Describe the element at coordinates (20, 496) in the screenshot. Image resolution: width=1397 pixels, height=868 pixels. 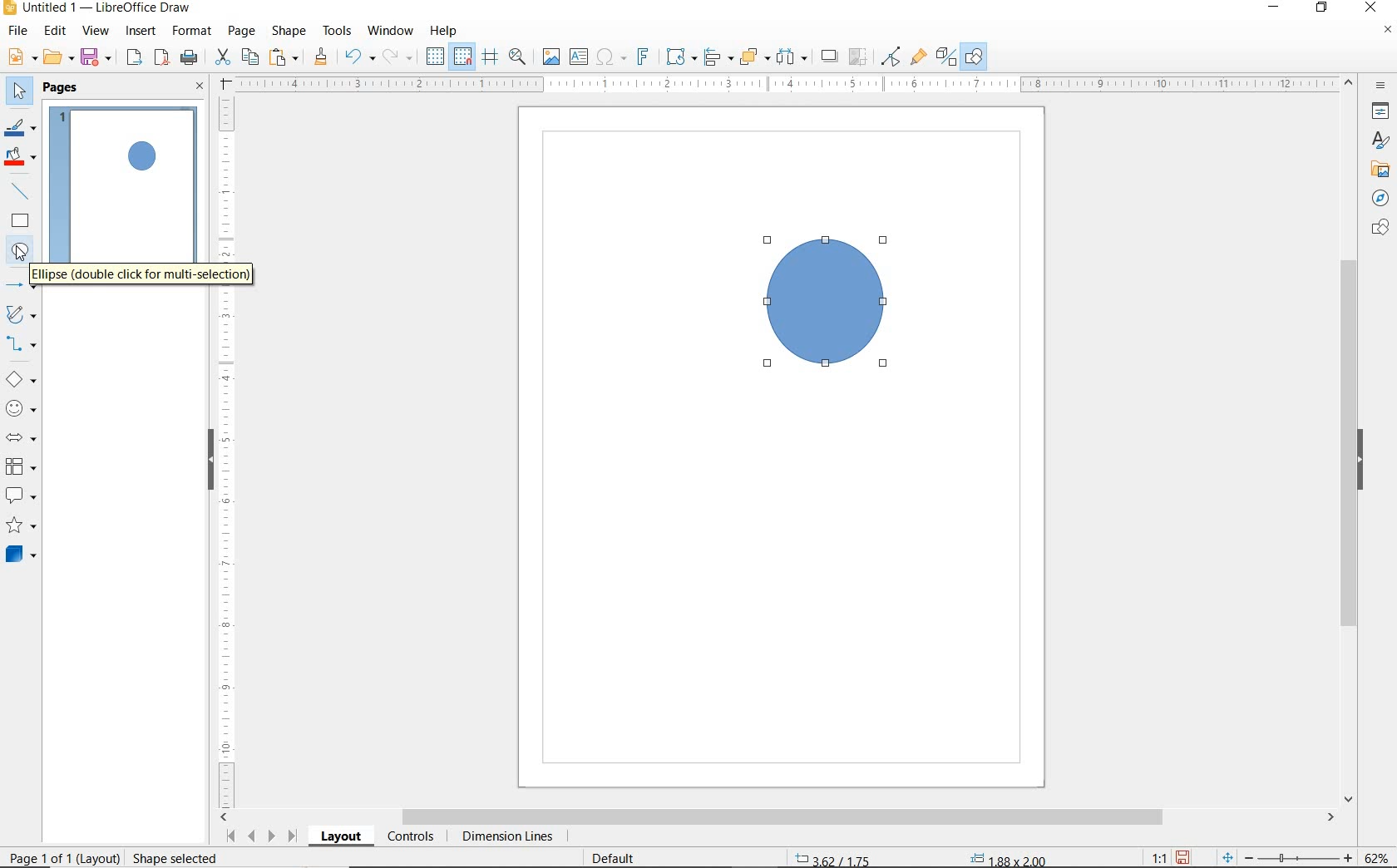
I see `CALLOUT SHAPES` at that location.